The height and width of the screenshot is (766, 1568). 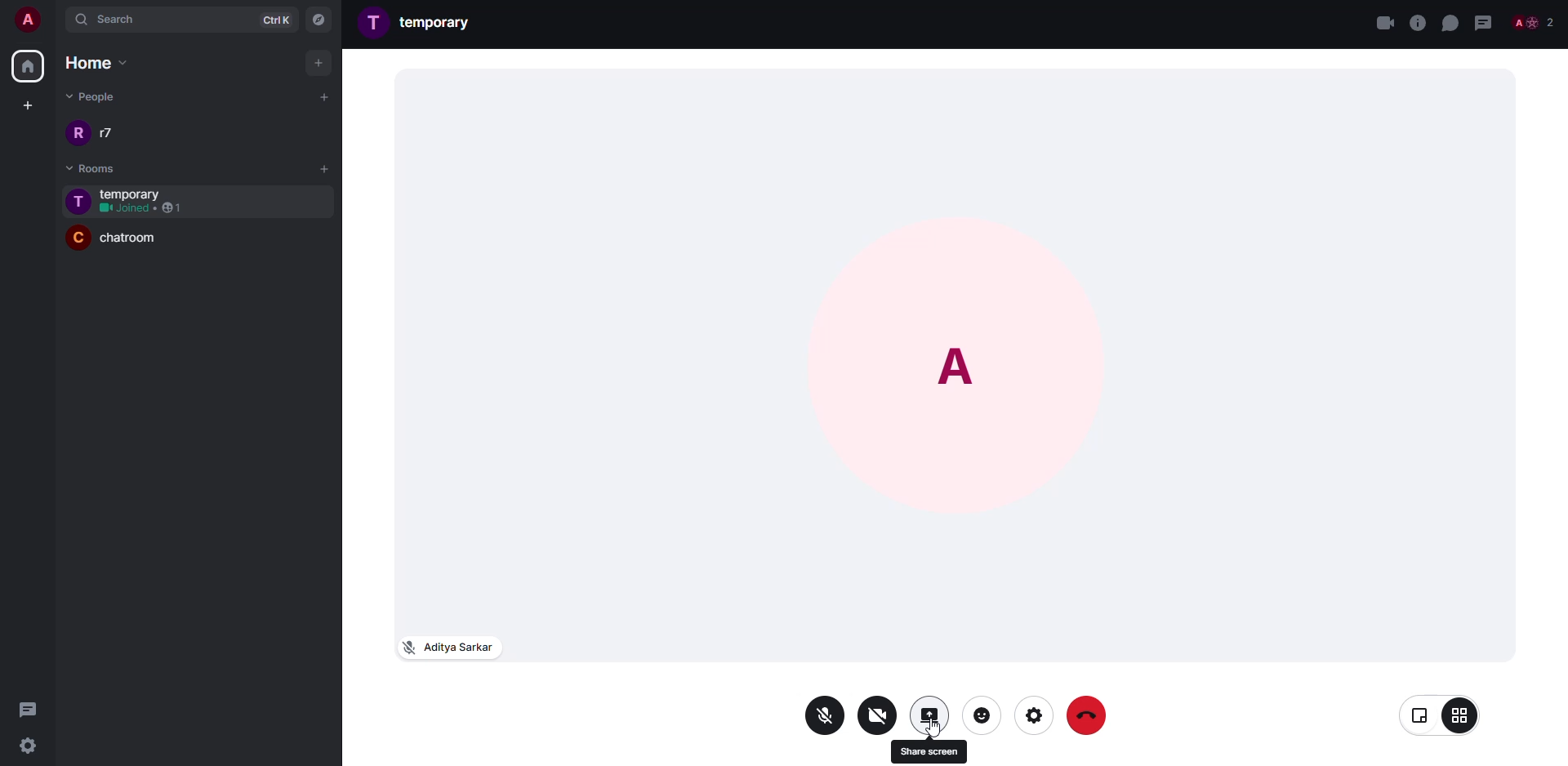 What do you see at coordinates (325, 167) in the screenshot?
I see `add` at bounding box center [325, 167].